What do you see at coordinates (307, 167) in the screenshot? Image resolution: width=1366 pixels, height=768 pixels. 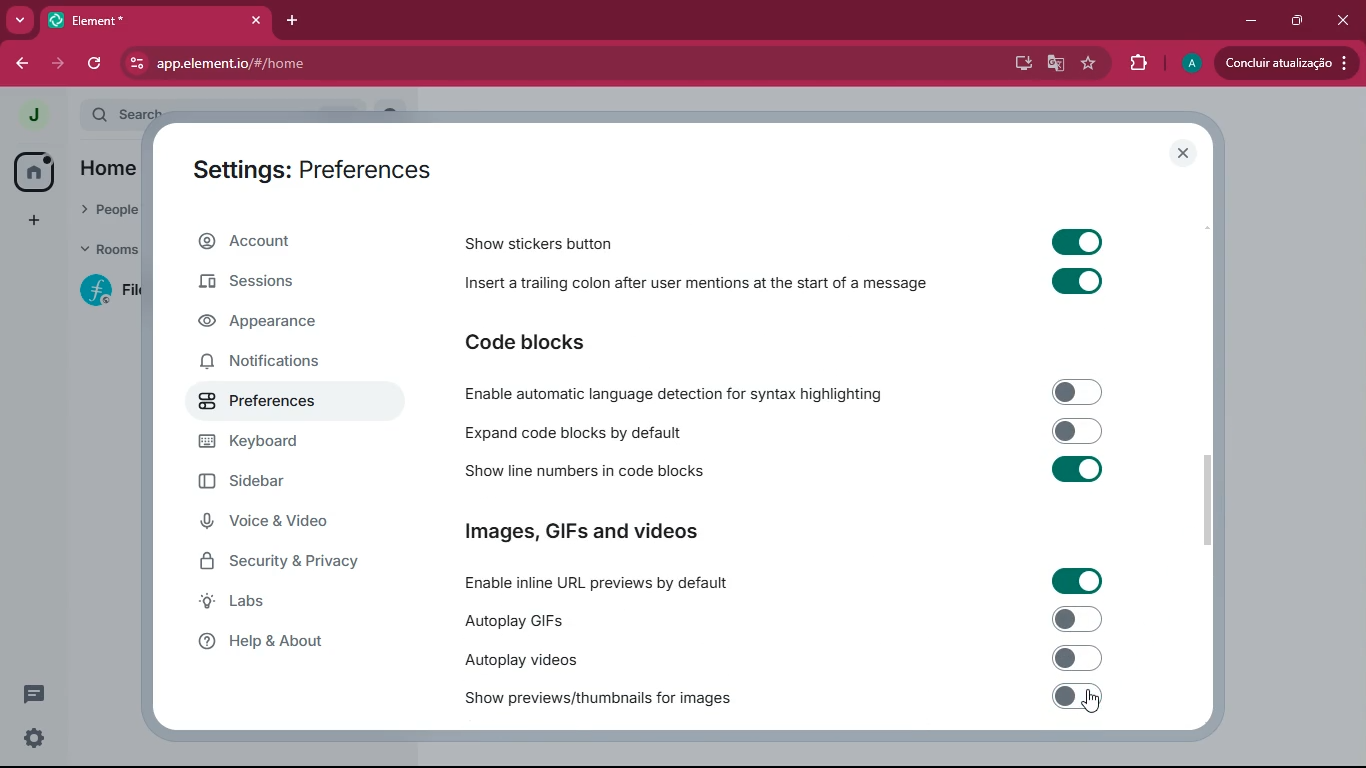 I see `Settings : Preferences` at bounding box center [307, 167].